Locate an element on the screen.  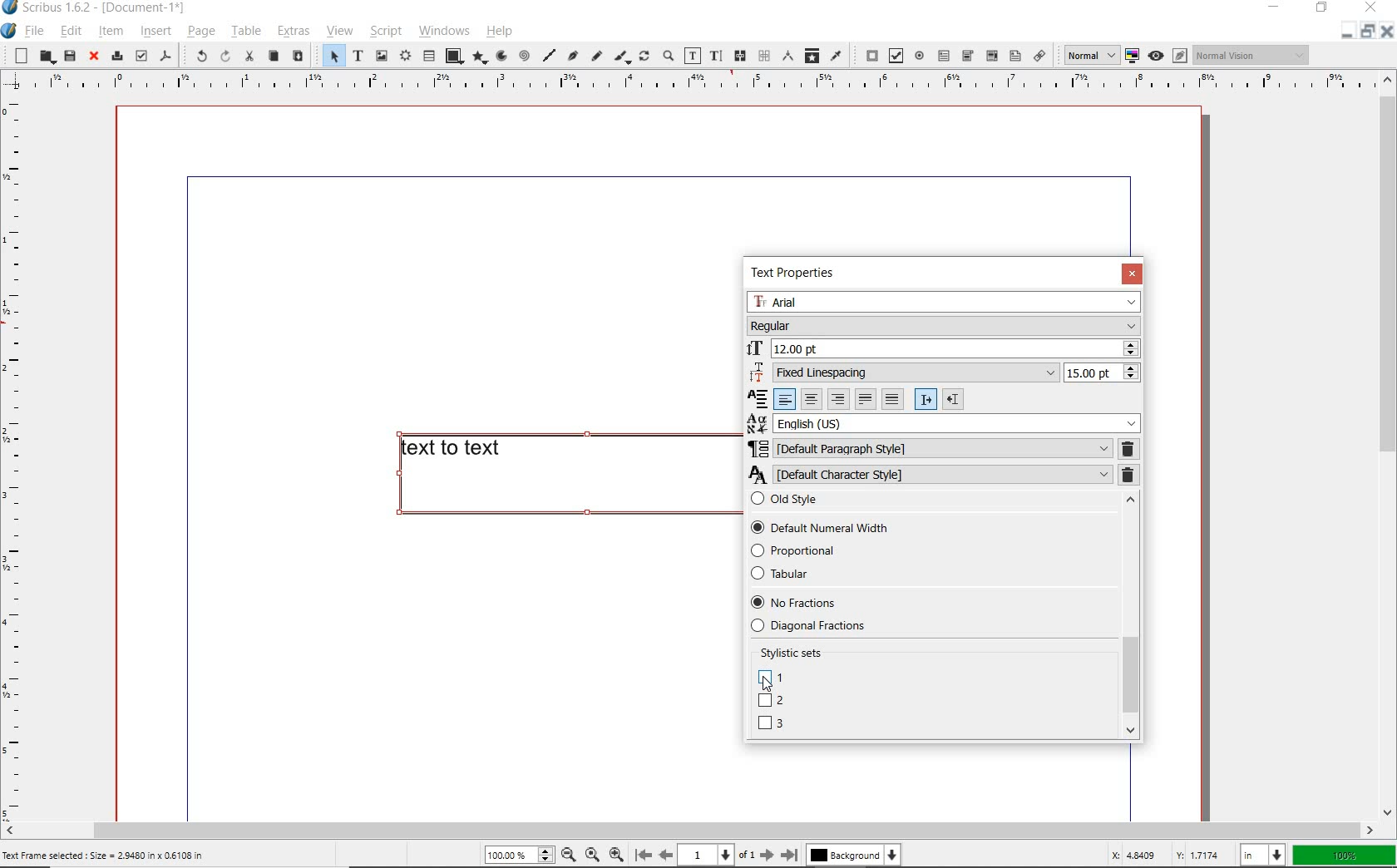
paste is located at coordinates (297, 57).